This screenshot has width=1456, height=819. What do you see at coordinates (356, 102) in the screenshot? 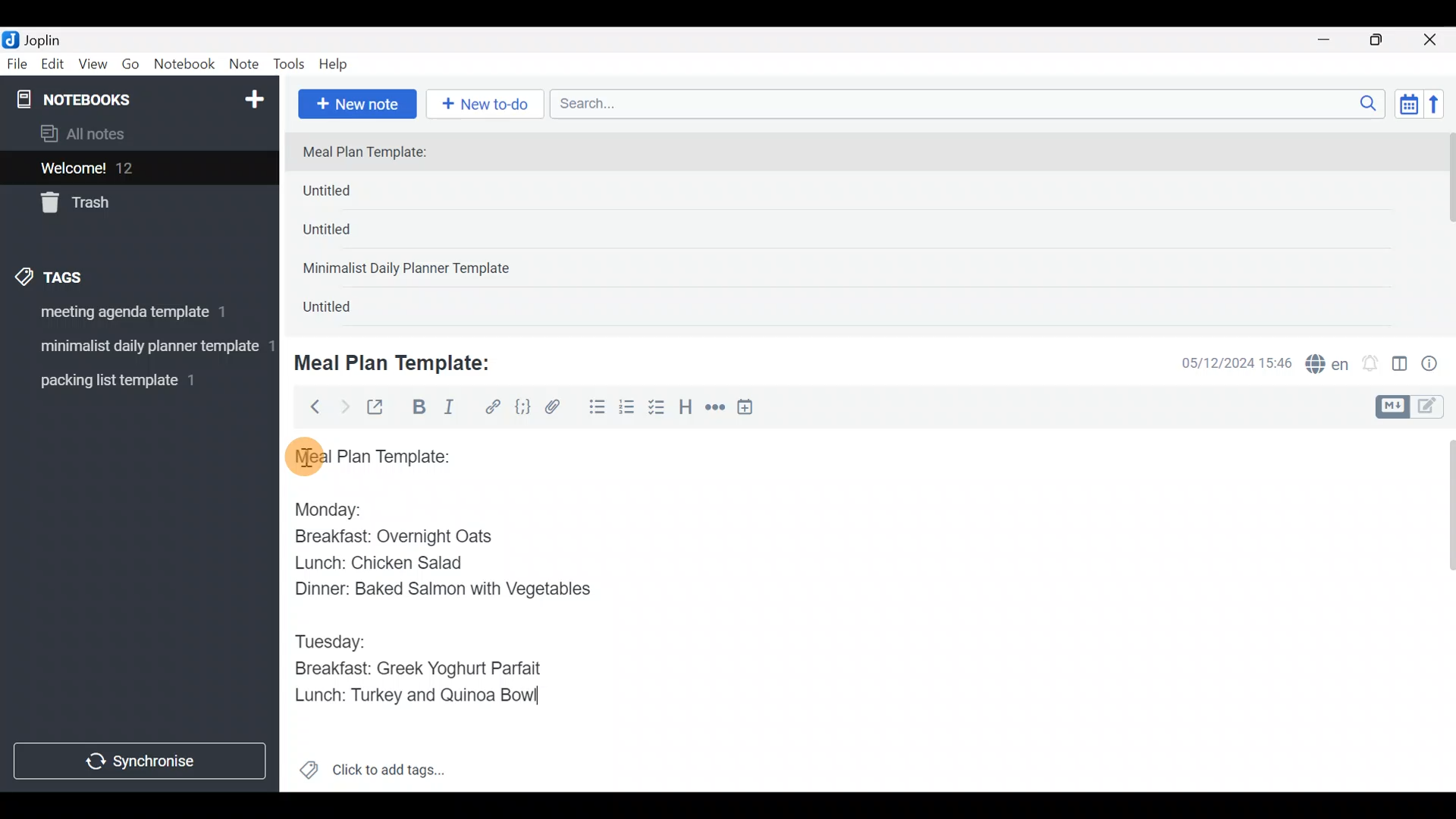
I see `New note` at bounding box center [356, 102].